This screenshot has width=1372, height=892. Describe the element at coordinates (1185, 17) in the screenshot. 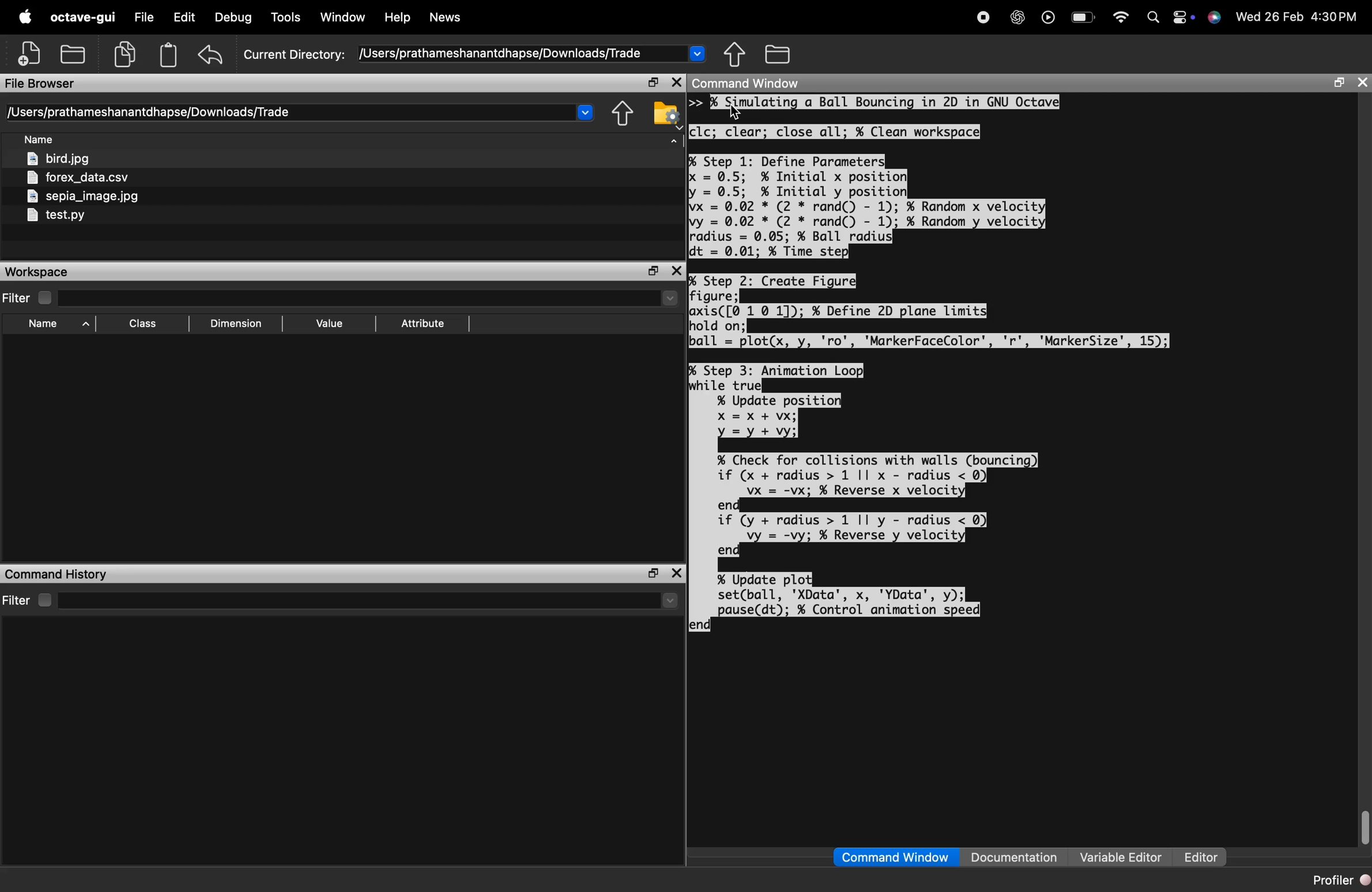

I see `action center` at that location.